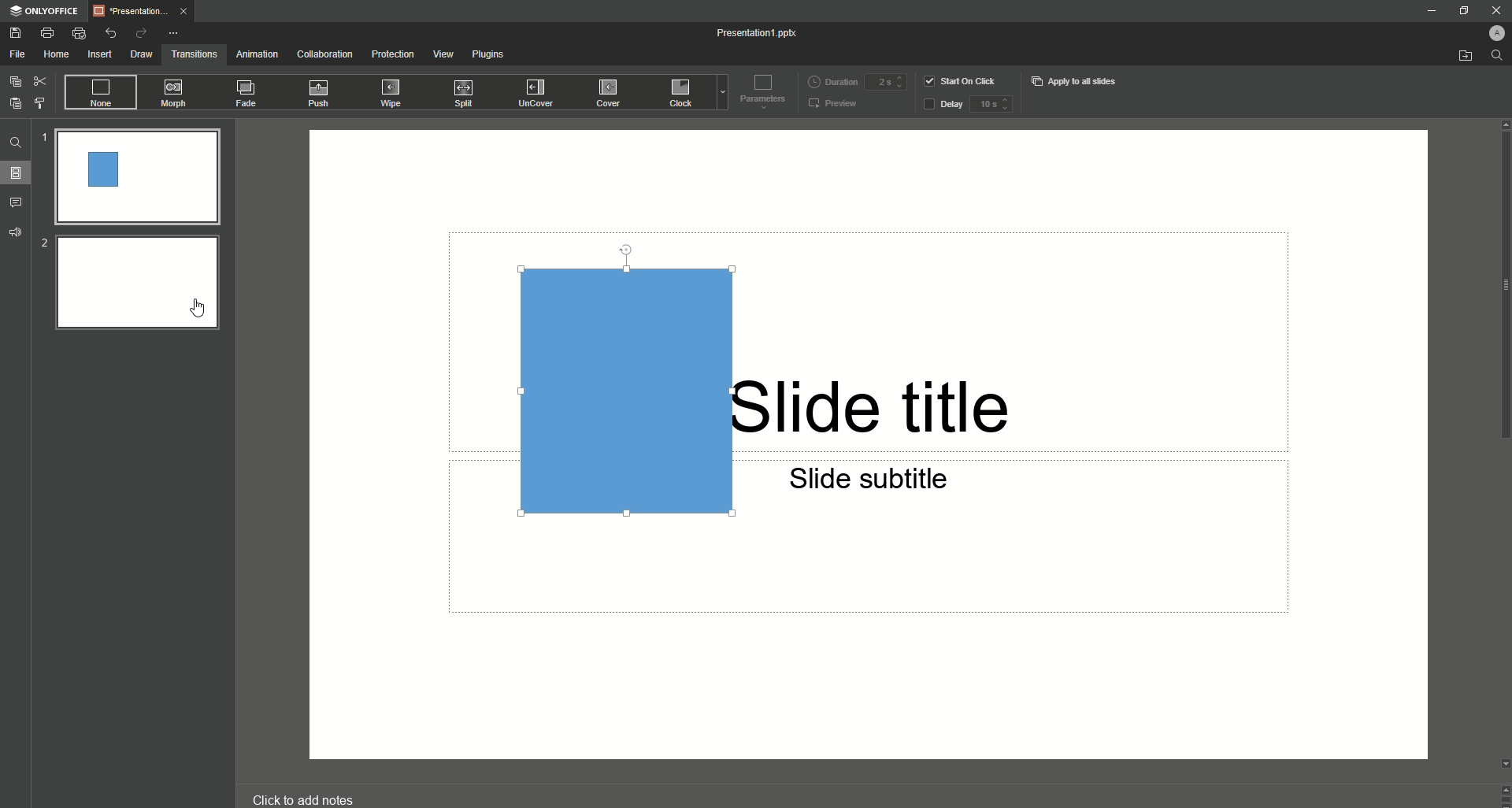 The width and height of the screenshot is (1512, 808). Describe the element at coordinates (134, 179) in the screenshot. I see `Slide 1 preview` at that location.